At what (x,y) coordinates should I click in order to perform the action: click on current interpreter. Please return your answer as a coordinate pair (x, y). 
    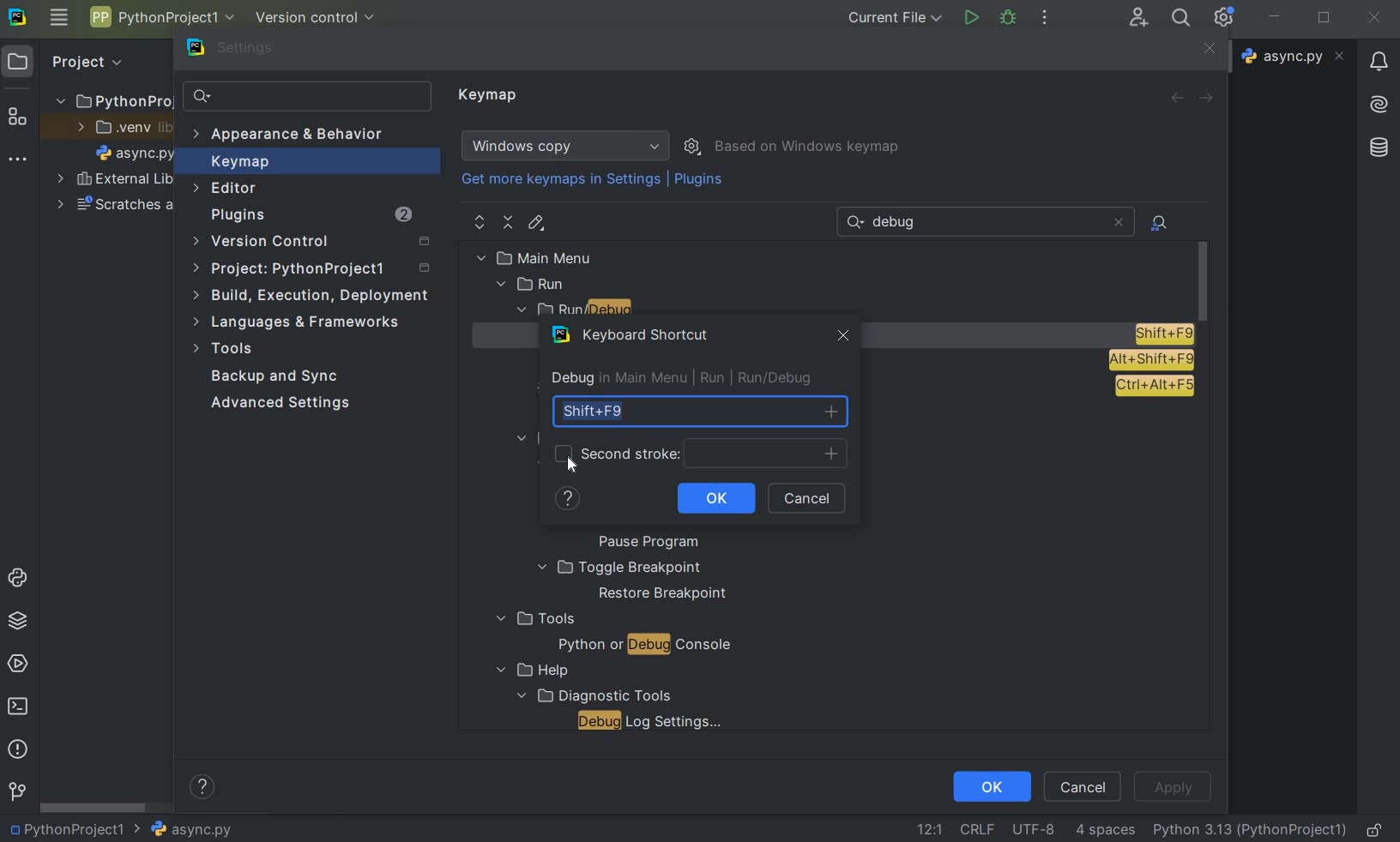
    Looking at the image, I should click on (1251, 829).